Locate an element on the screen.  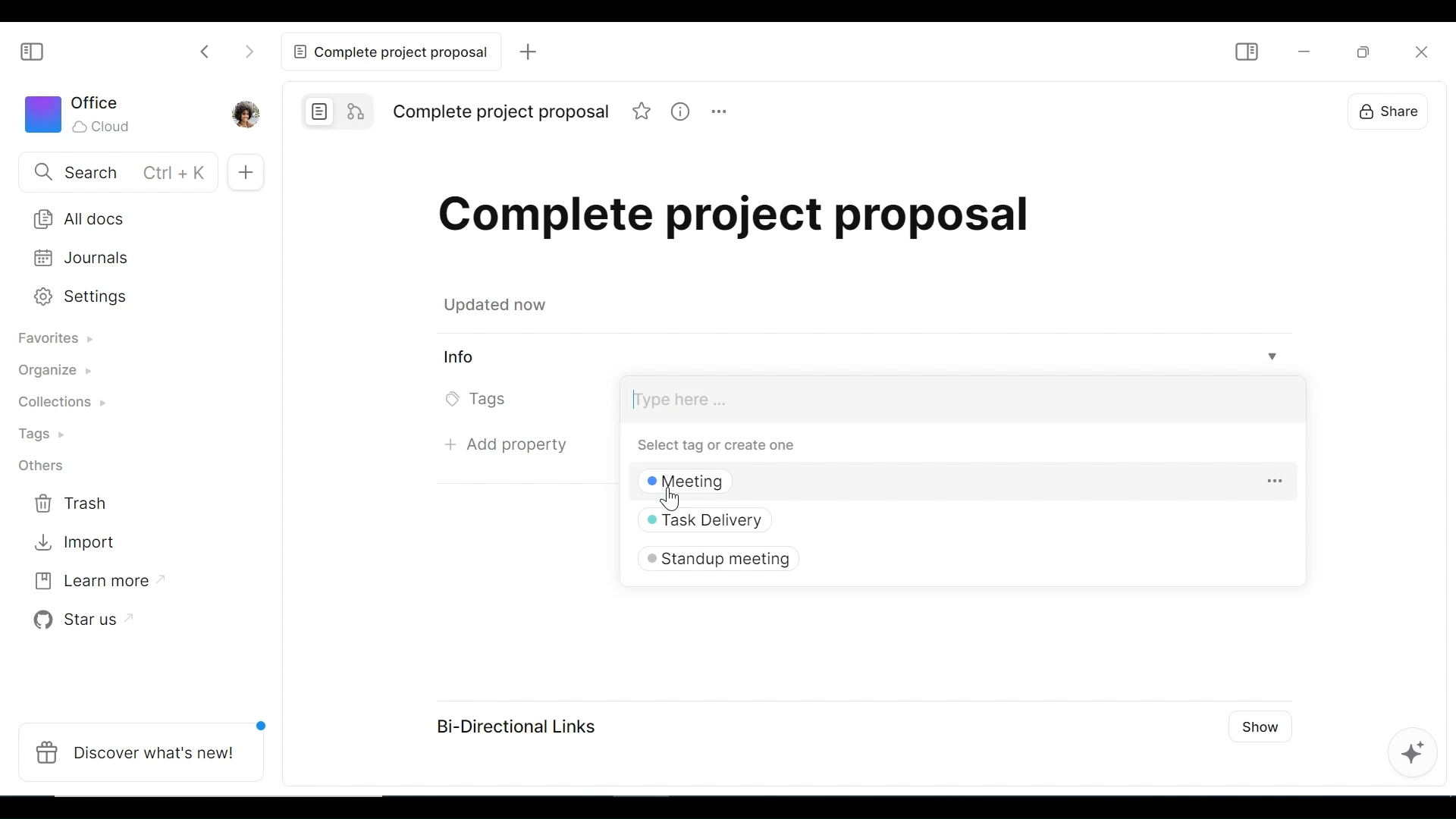
Add New  is located at coordinates (249, 171).